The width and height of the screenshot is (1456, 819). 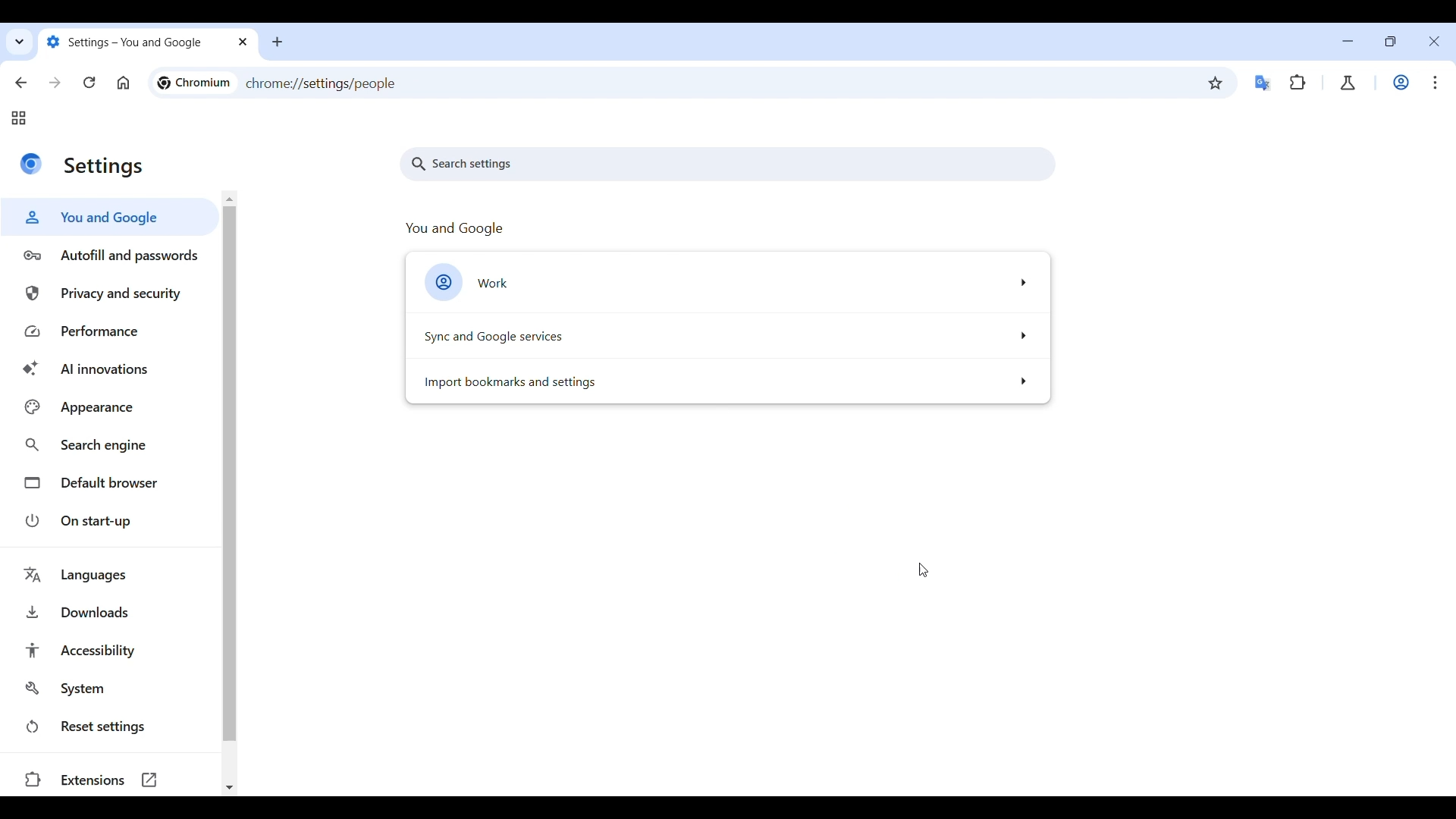 What do you see at coordinates (113, 293) in the screenshot?
I see `Privacy and security` at bounding box center [113, 293].